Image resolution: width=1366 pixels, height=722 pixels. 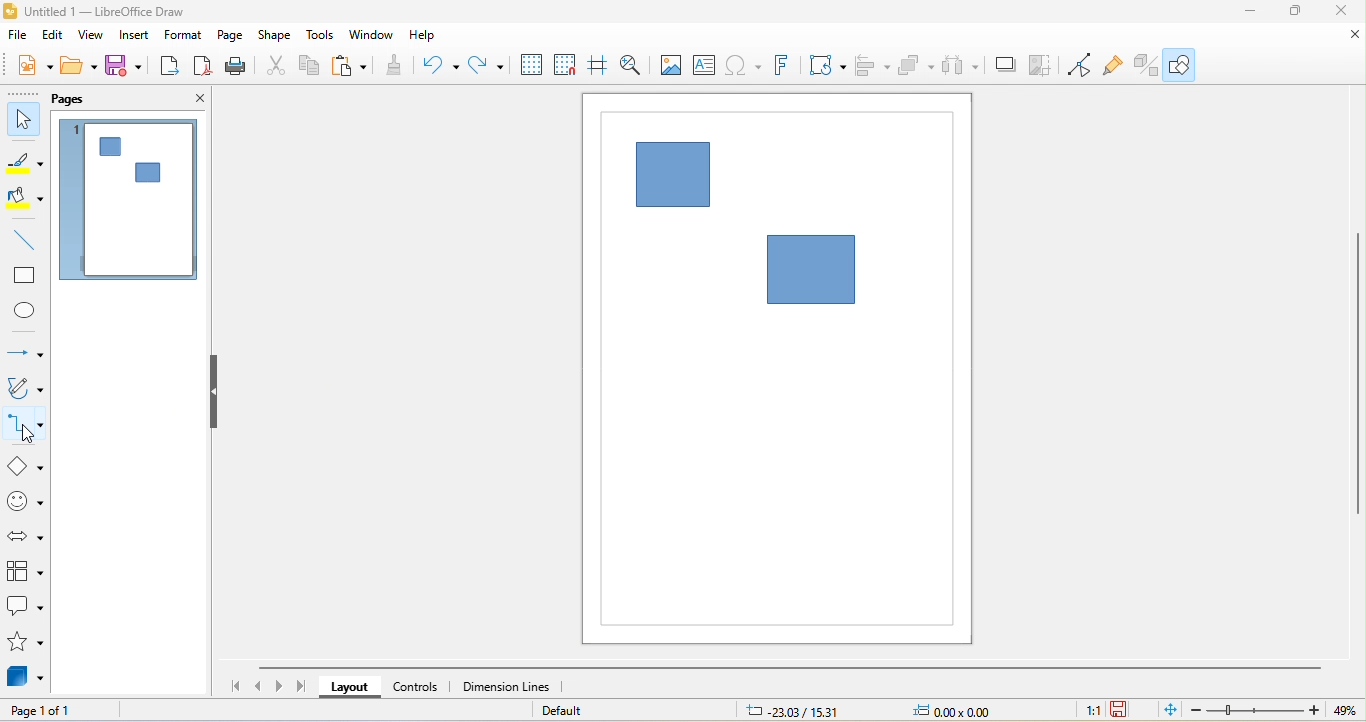 I want to click on file, so click(x=19, y=35).